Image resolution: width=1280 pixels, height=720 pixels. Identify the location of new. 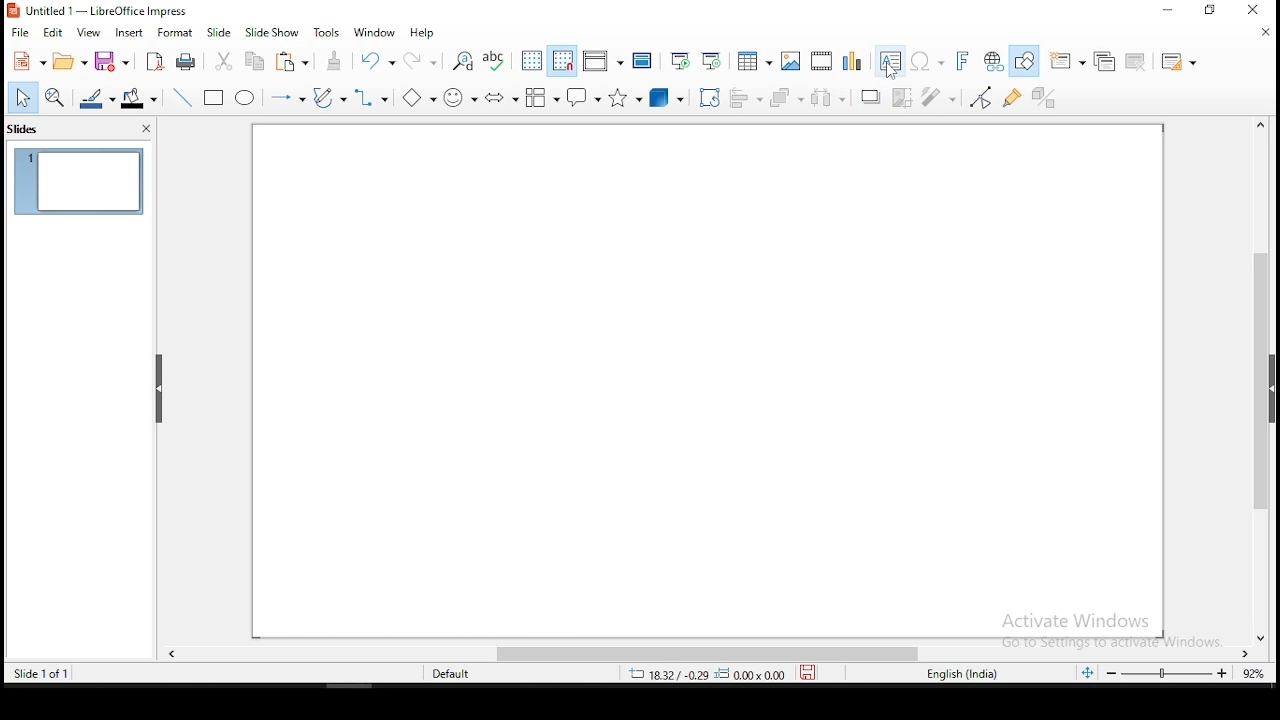
(28, 61).